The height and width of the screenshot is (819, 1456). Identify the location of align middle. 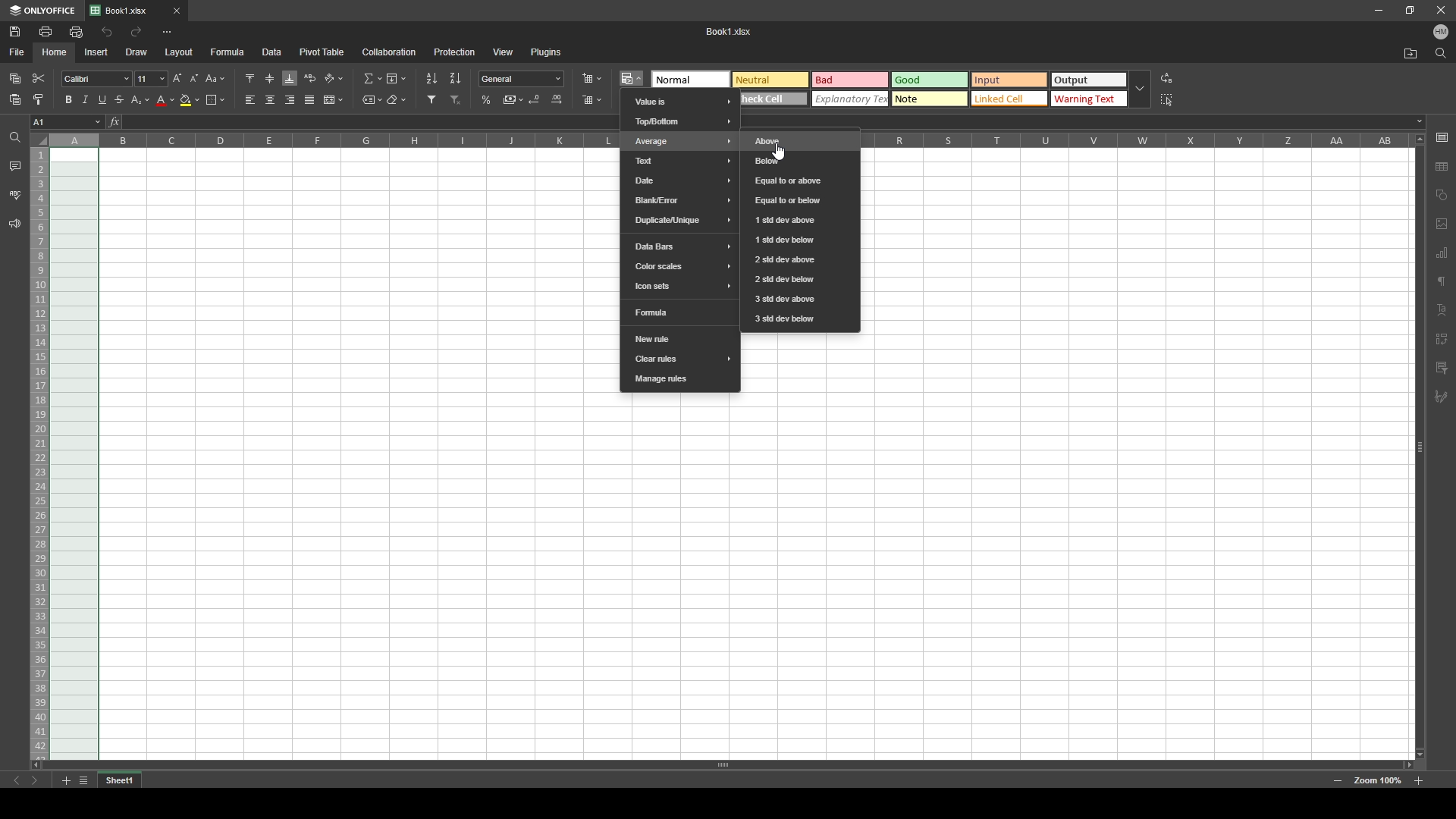
(271, 79).